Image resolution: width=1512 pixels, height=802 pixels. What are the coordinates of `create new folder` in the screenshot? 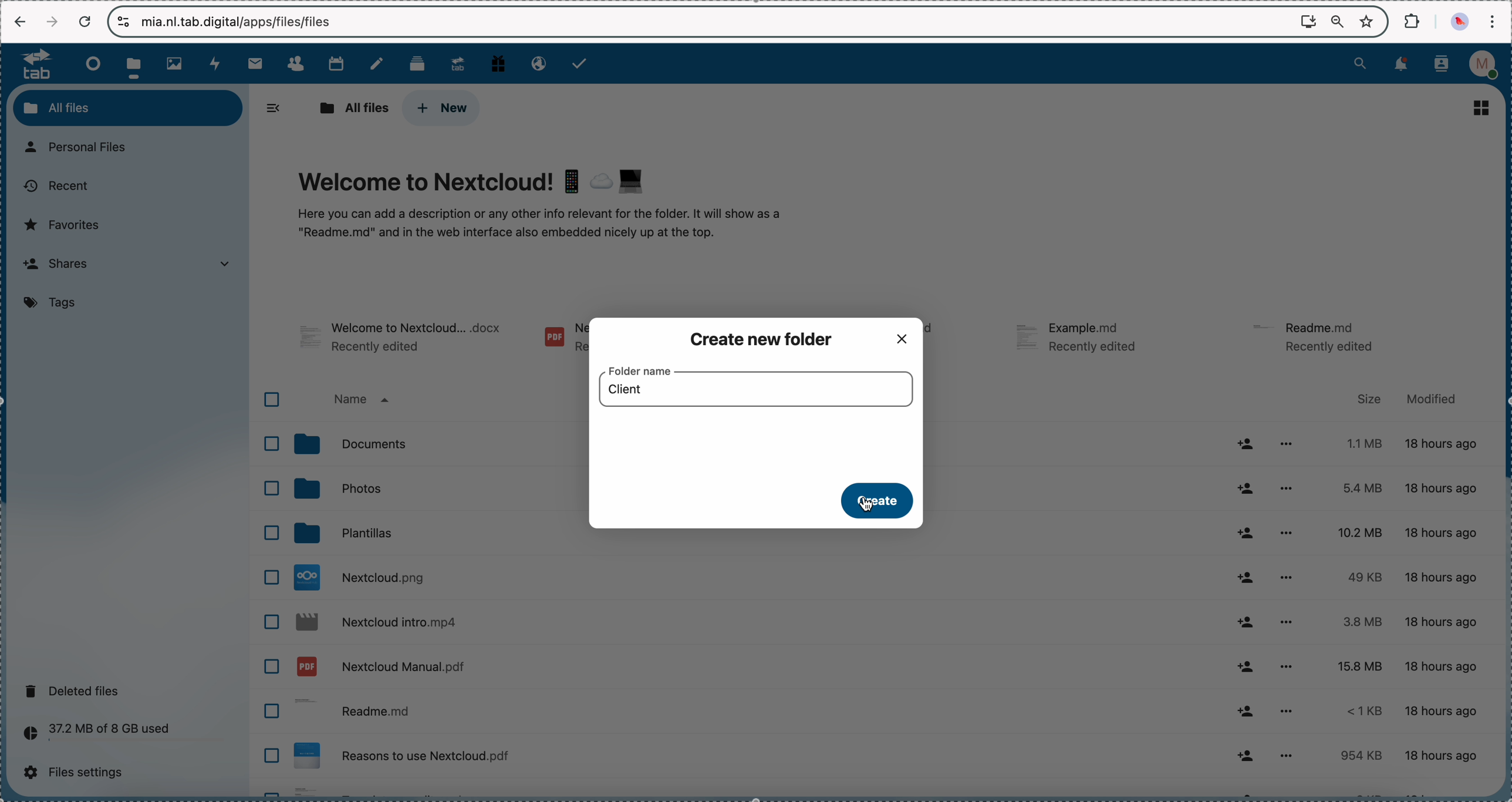 It's located at (765, 339).